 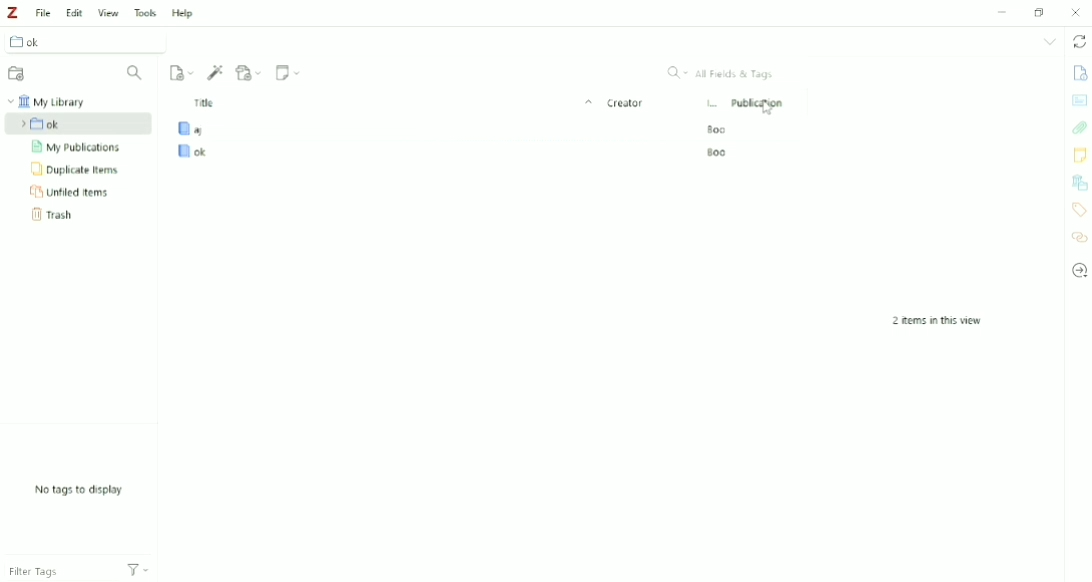 I want to click on 2 items in this view, so click(x=936, y=321).